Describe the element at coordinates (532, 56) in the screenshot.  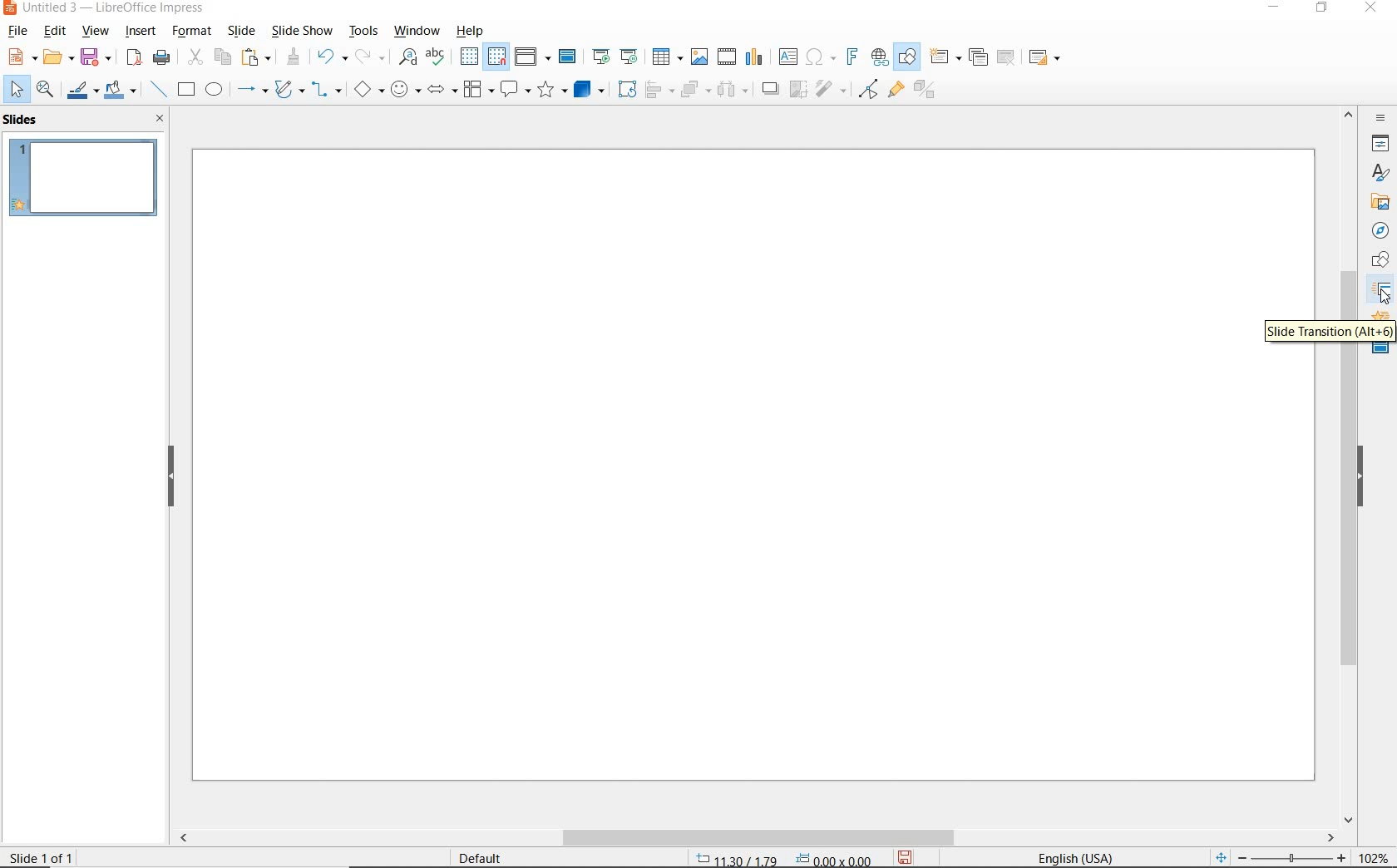
I see `DISPLAY VIEWS` at that location.